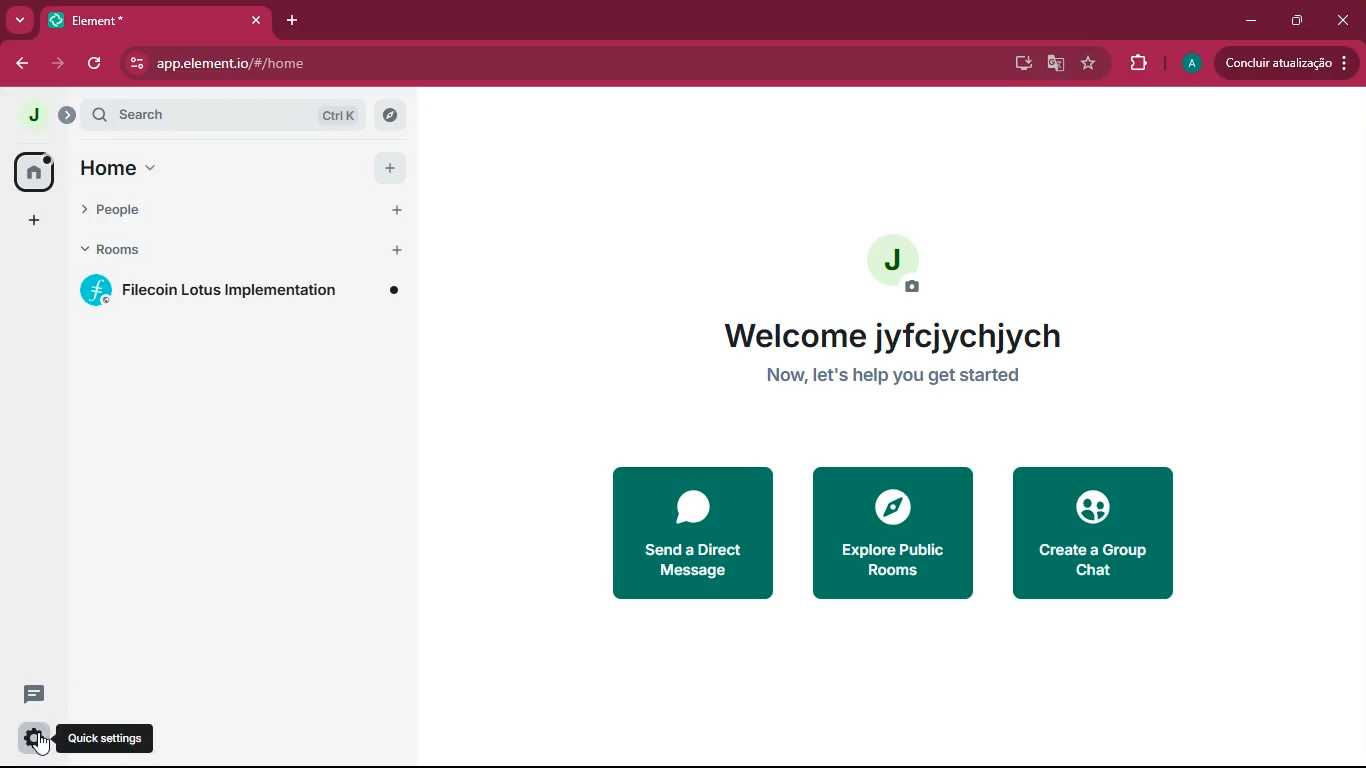 Image resolution: width=1366 pixels, height=768 pixels. What do you see at coordinates (1252, 21) in the screenshot?
I see `minimize` at bounding box center [1252, 21].